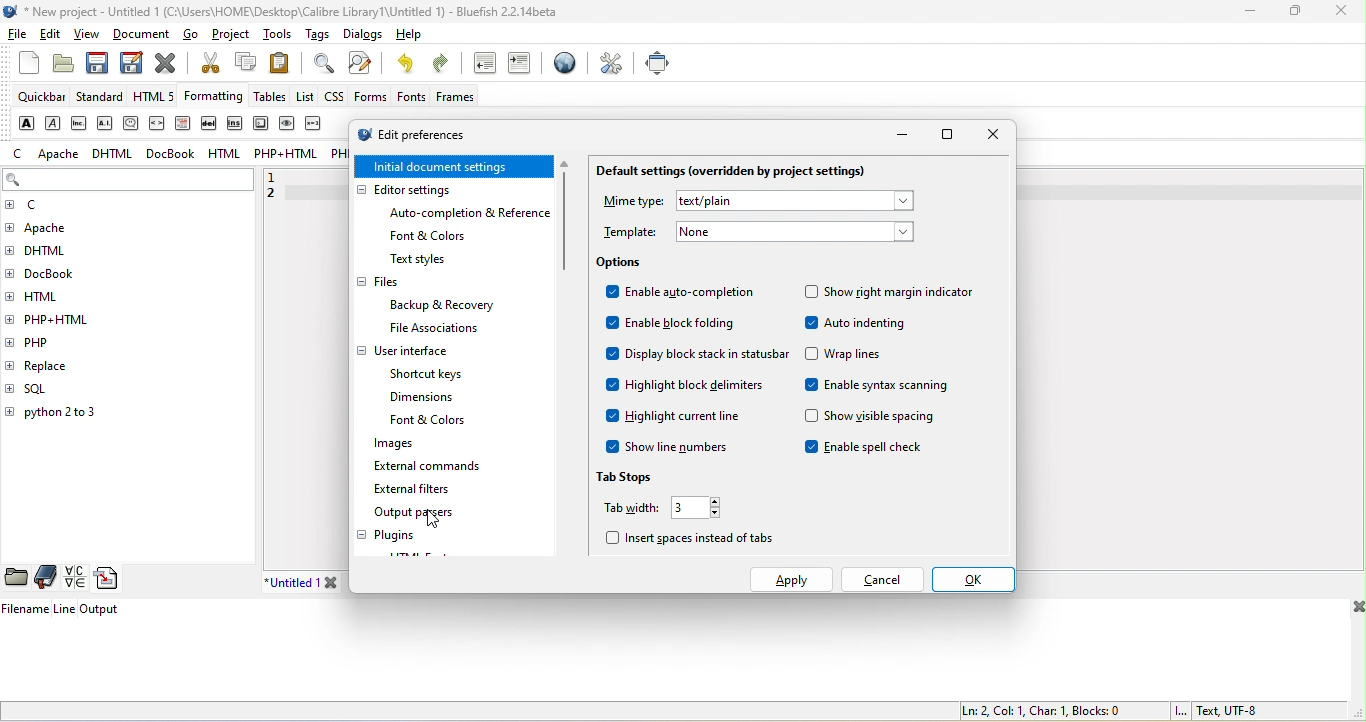  Describe the element at coordinates (49, 341) in the screenshot. I see `php` at that location.